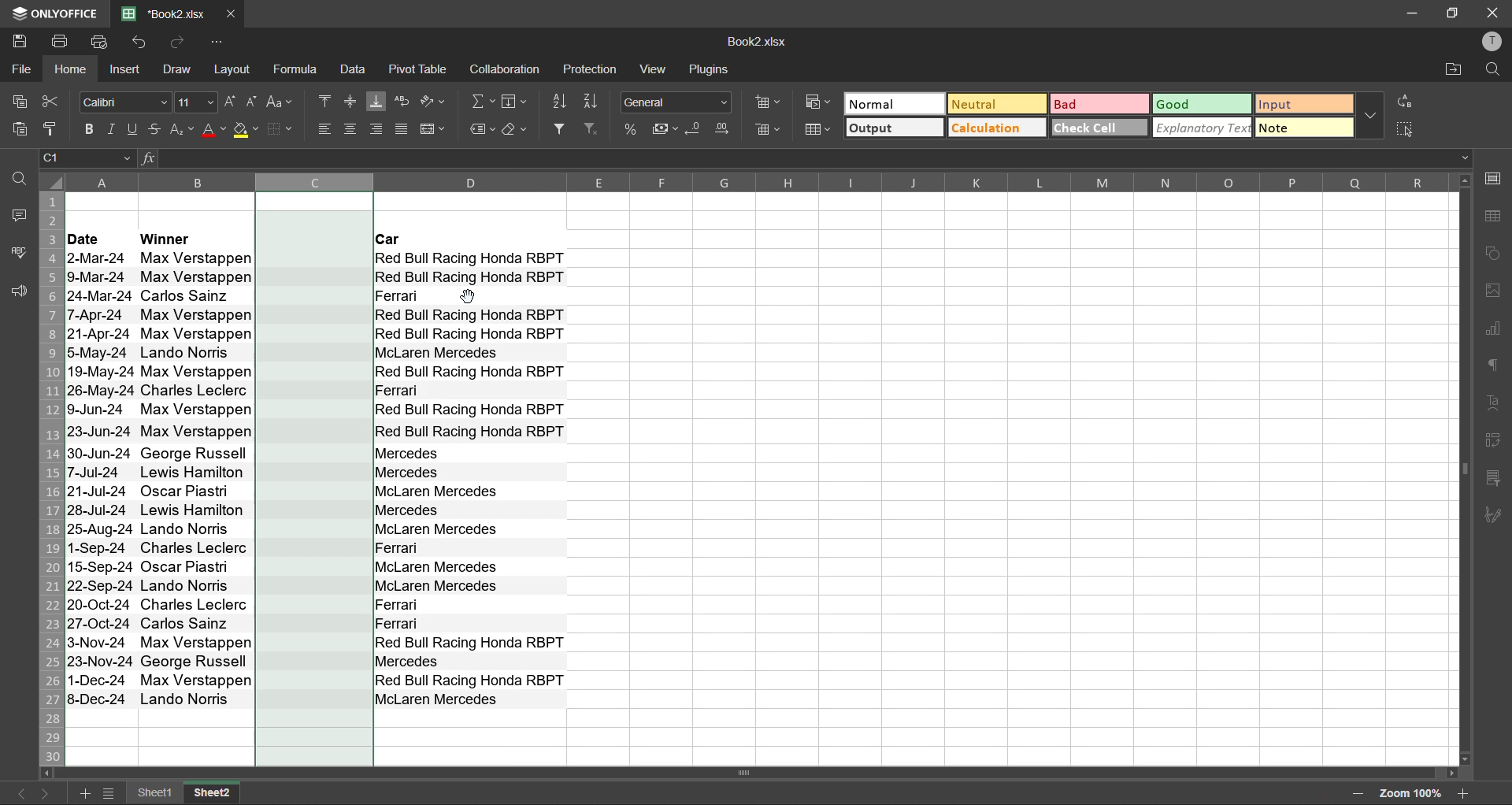 This screenshot has height=805, width=1512. Describe the element at coordinates (50, 101) in the screenshot. I see `cut` at that location.